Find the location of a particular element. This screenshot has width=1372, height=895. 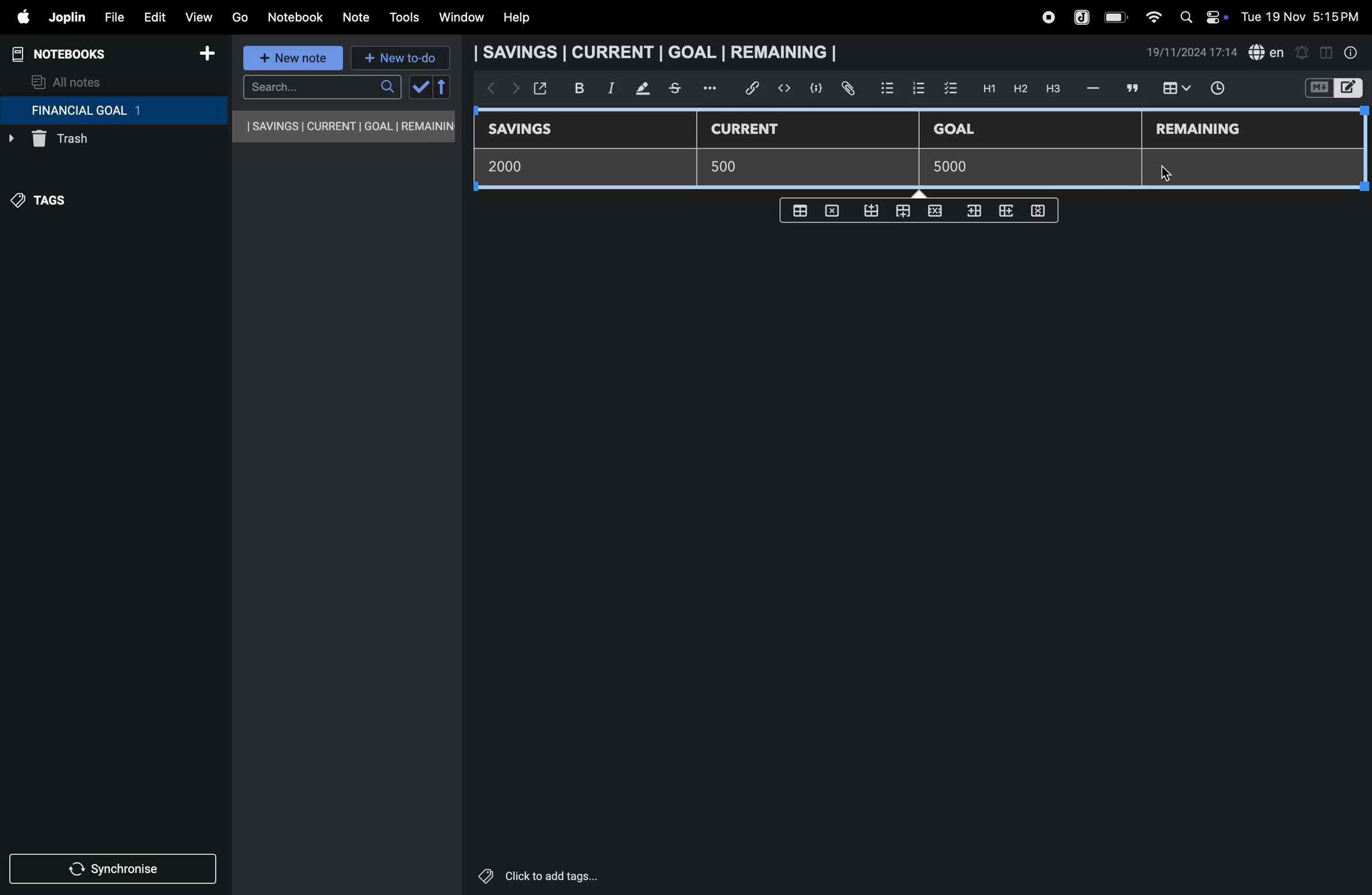

apple widgets is located at coordinates (1201, 16).